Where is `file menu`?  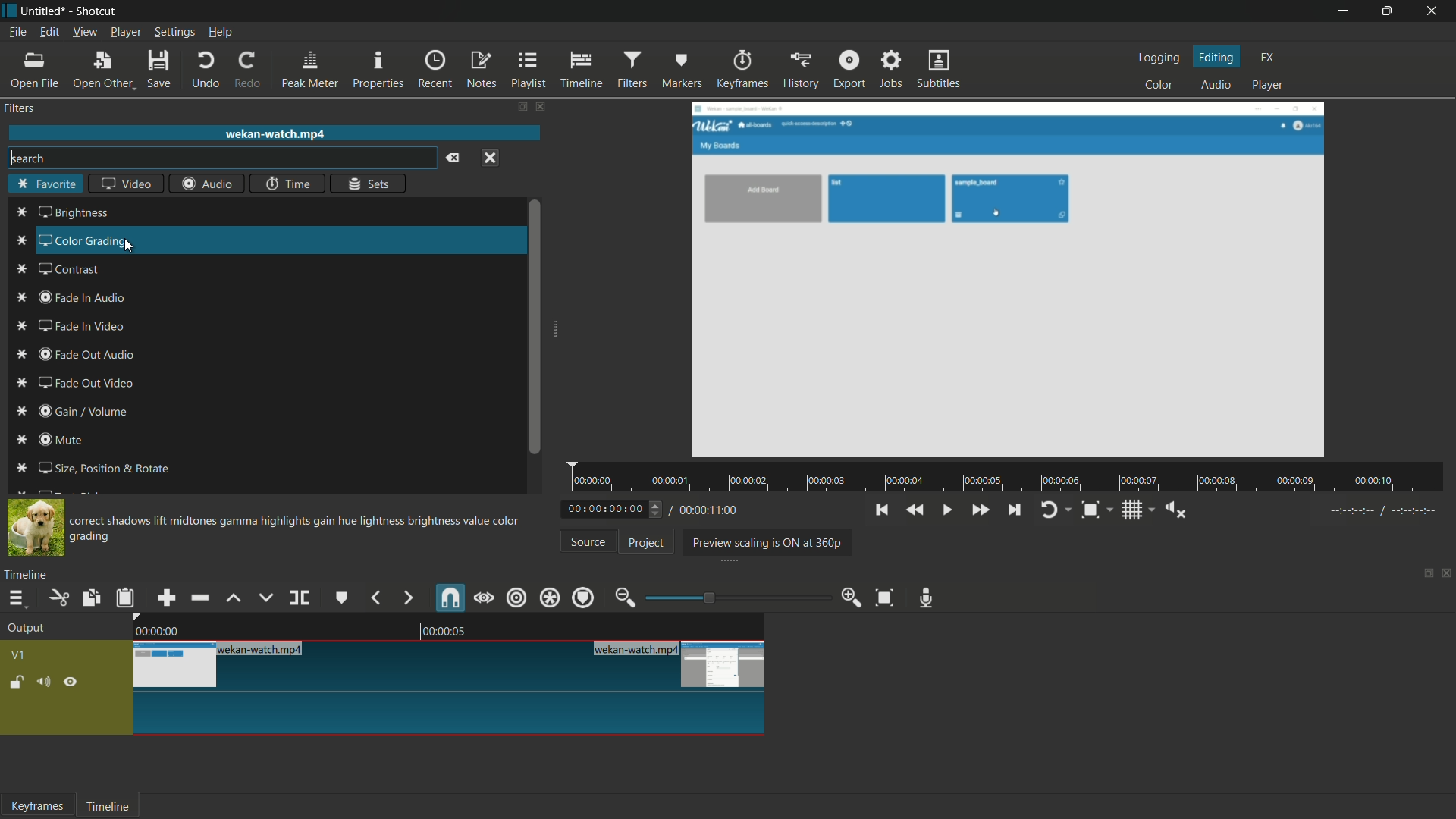
file menu is located at coordinates (17, 32).